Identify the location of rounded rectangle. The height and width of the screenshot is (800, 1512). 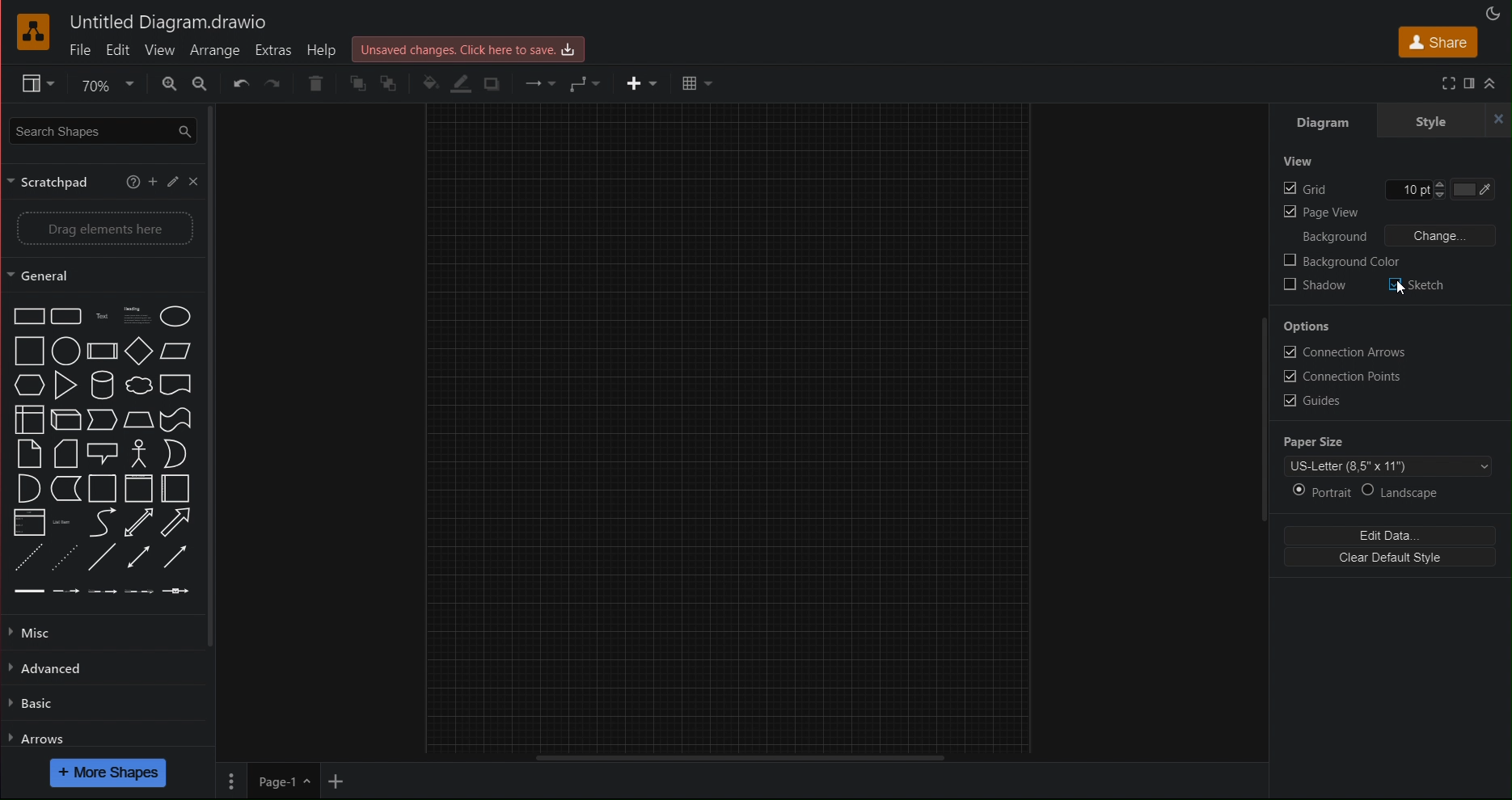
(66, 317).